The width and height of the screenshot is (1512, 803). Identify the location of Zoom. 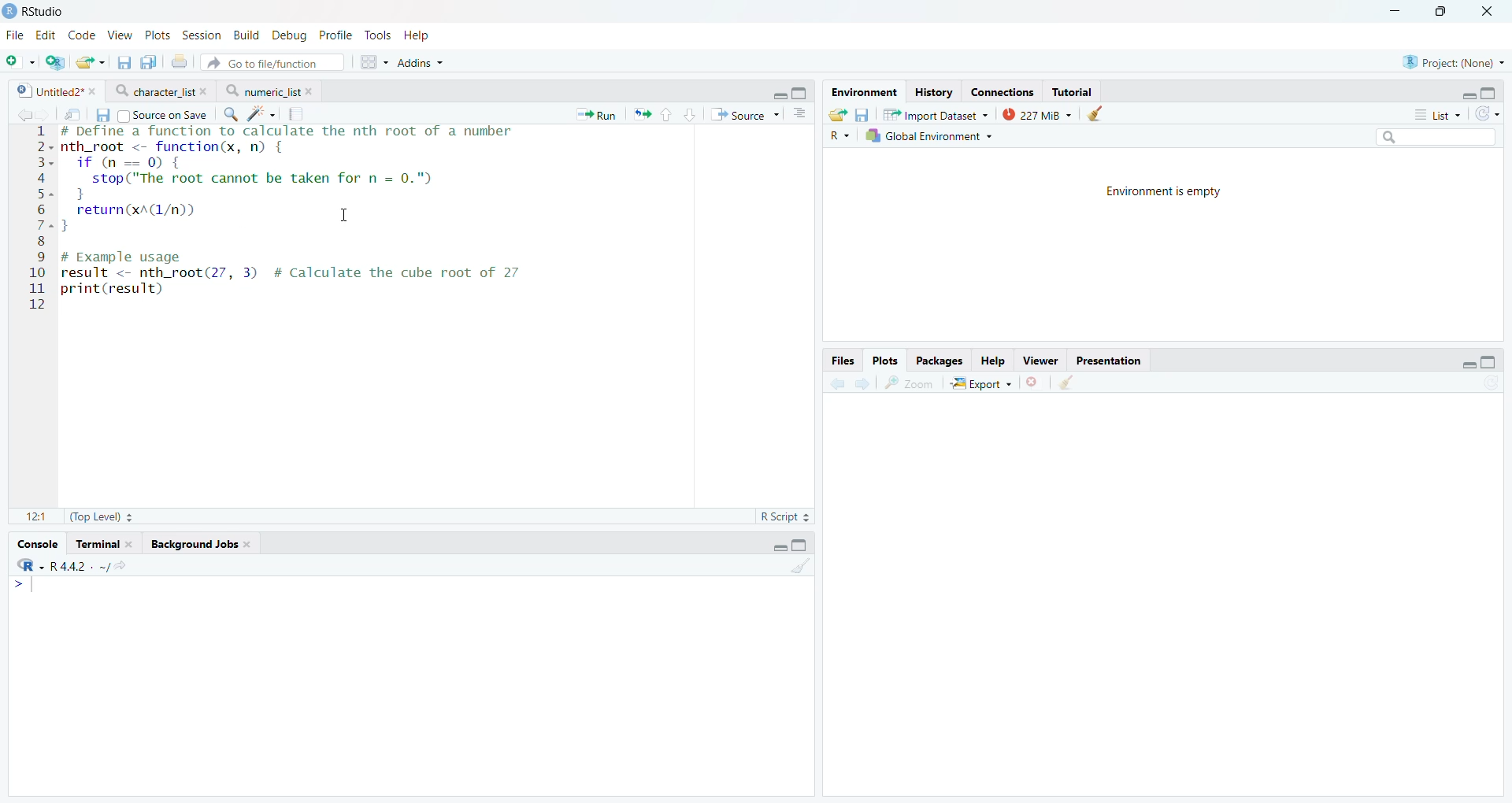
(913, 383).